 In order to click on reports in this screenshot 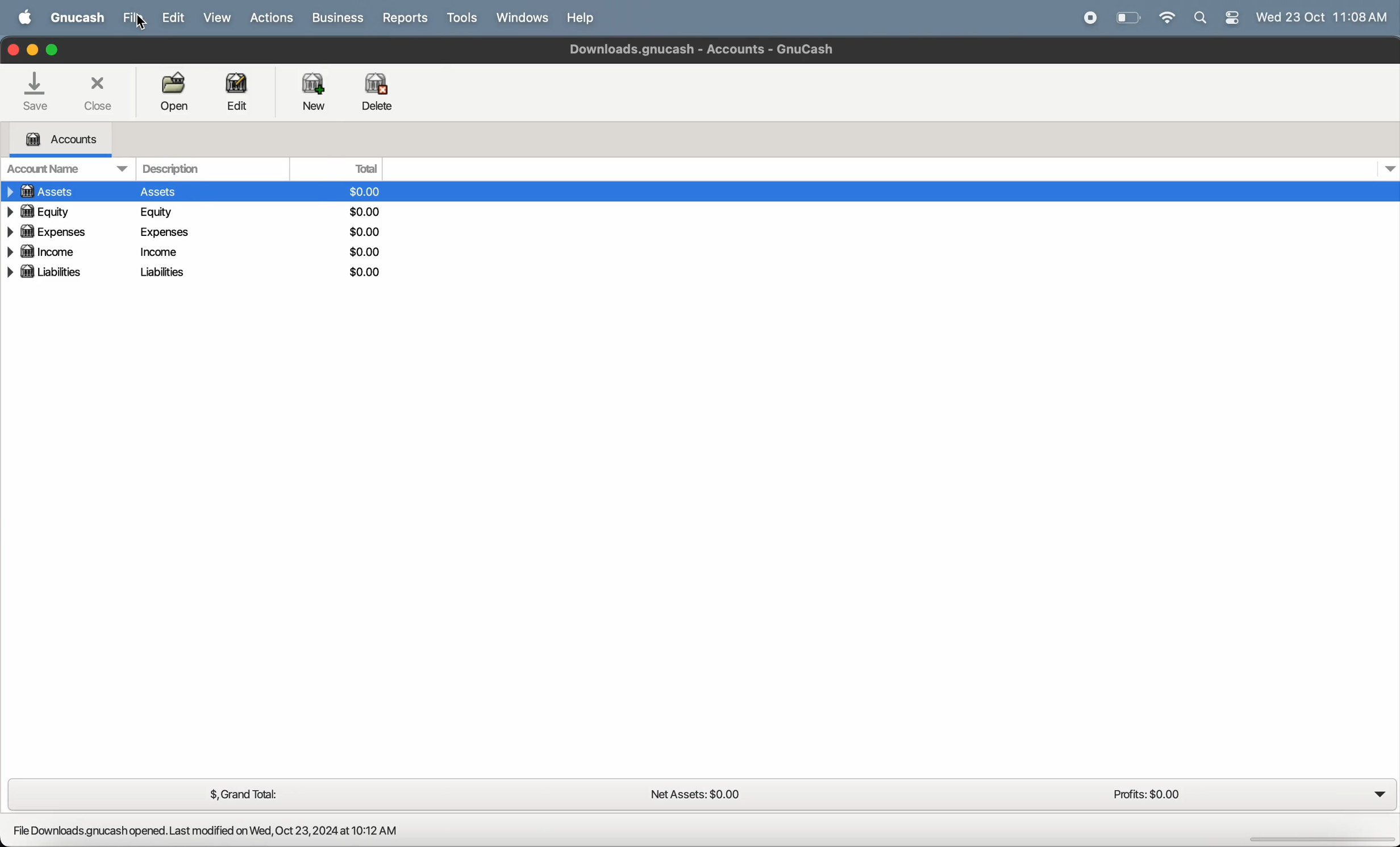, I will do `click(405, 17)`.